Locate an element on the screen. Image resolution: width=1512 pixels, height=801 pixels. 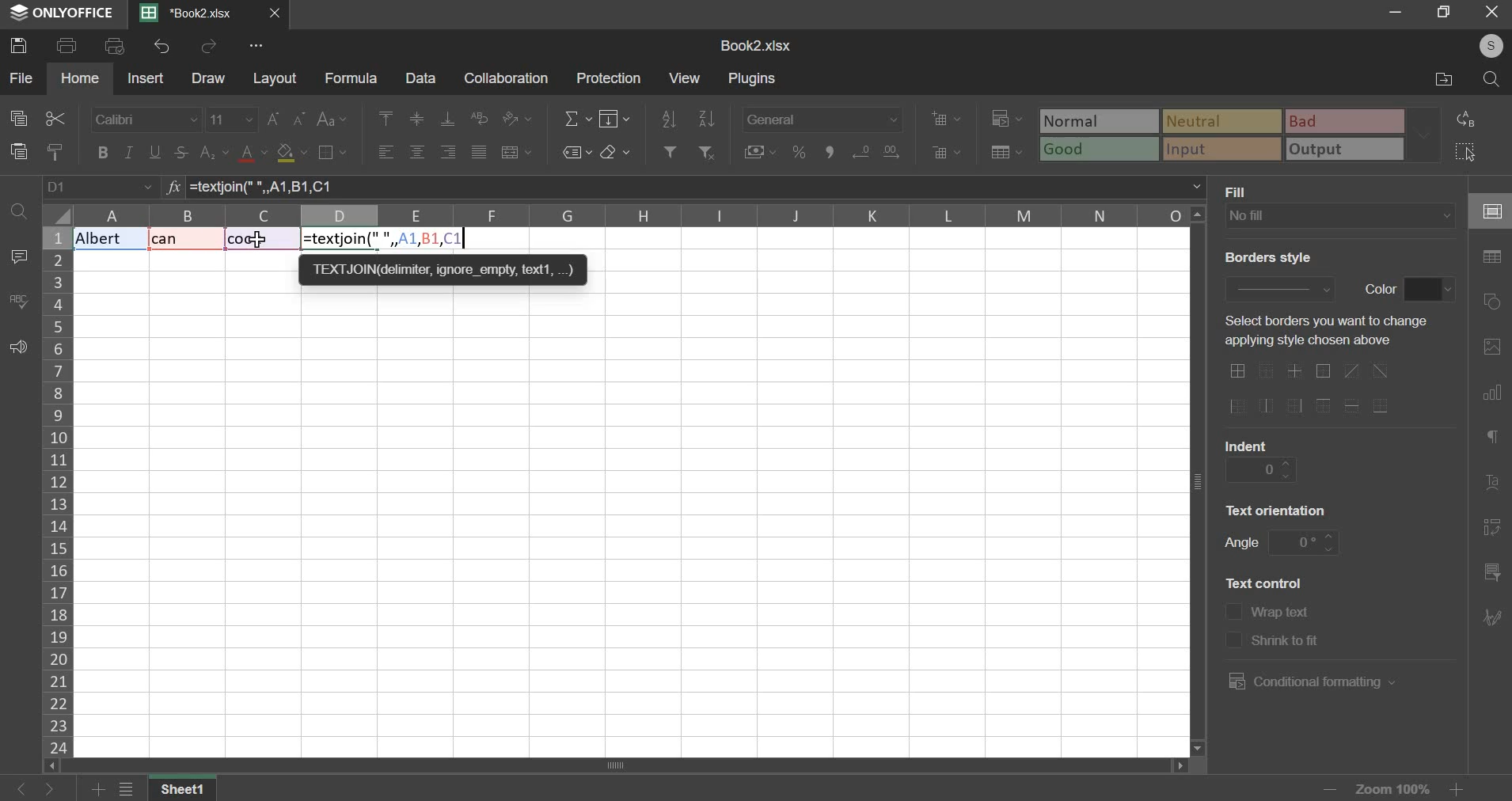
fill is located at coordinates (616, 118).